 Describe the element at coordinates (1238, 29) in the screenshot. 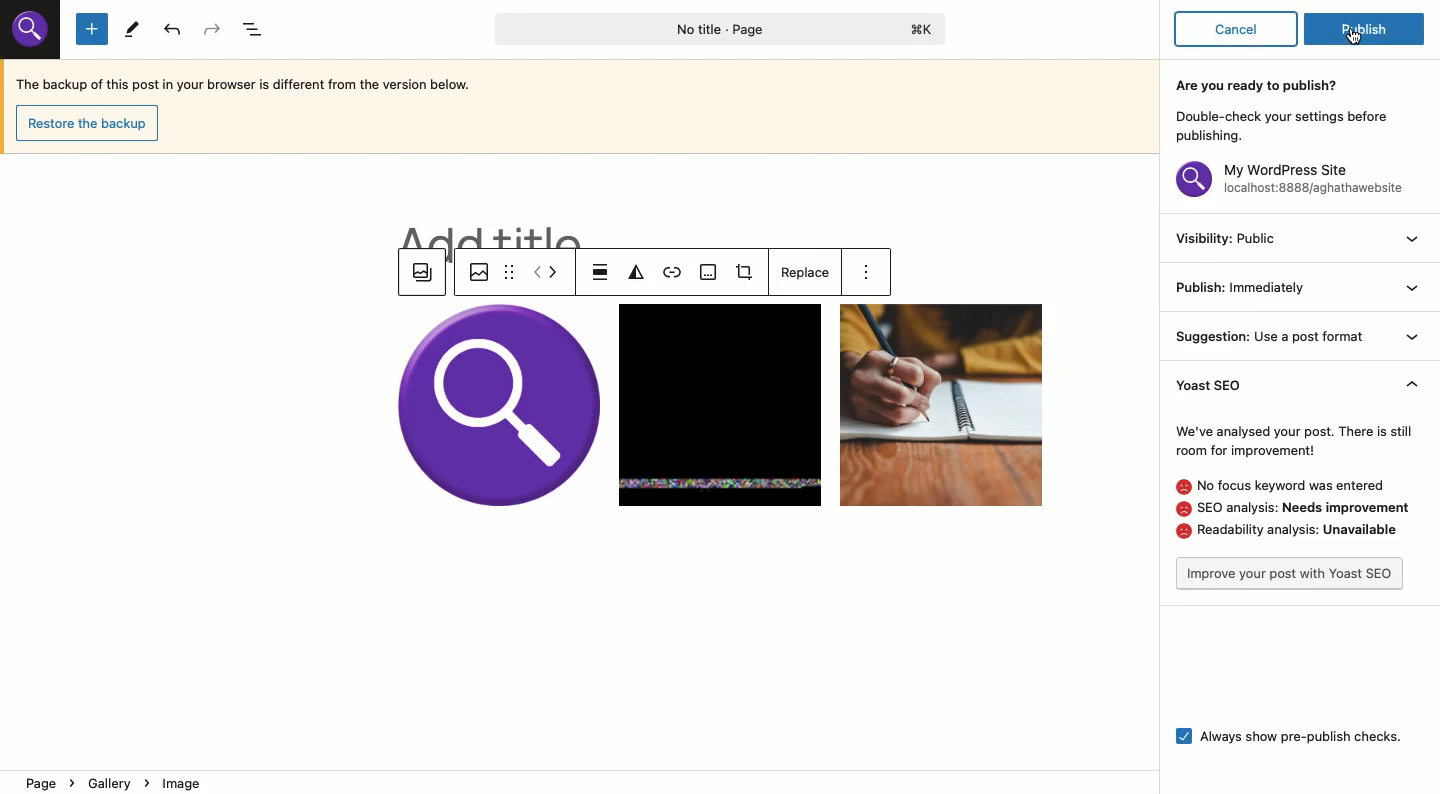

I see `Cancel` at that location.